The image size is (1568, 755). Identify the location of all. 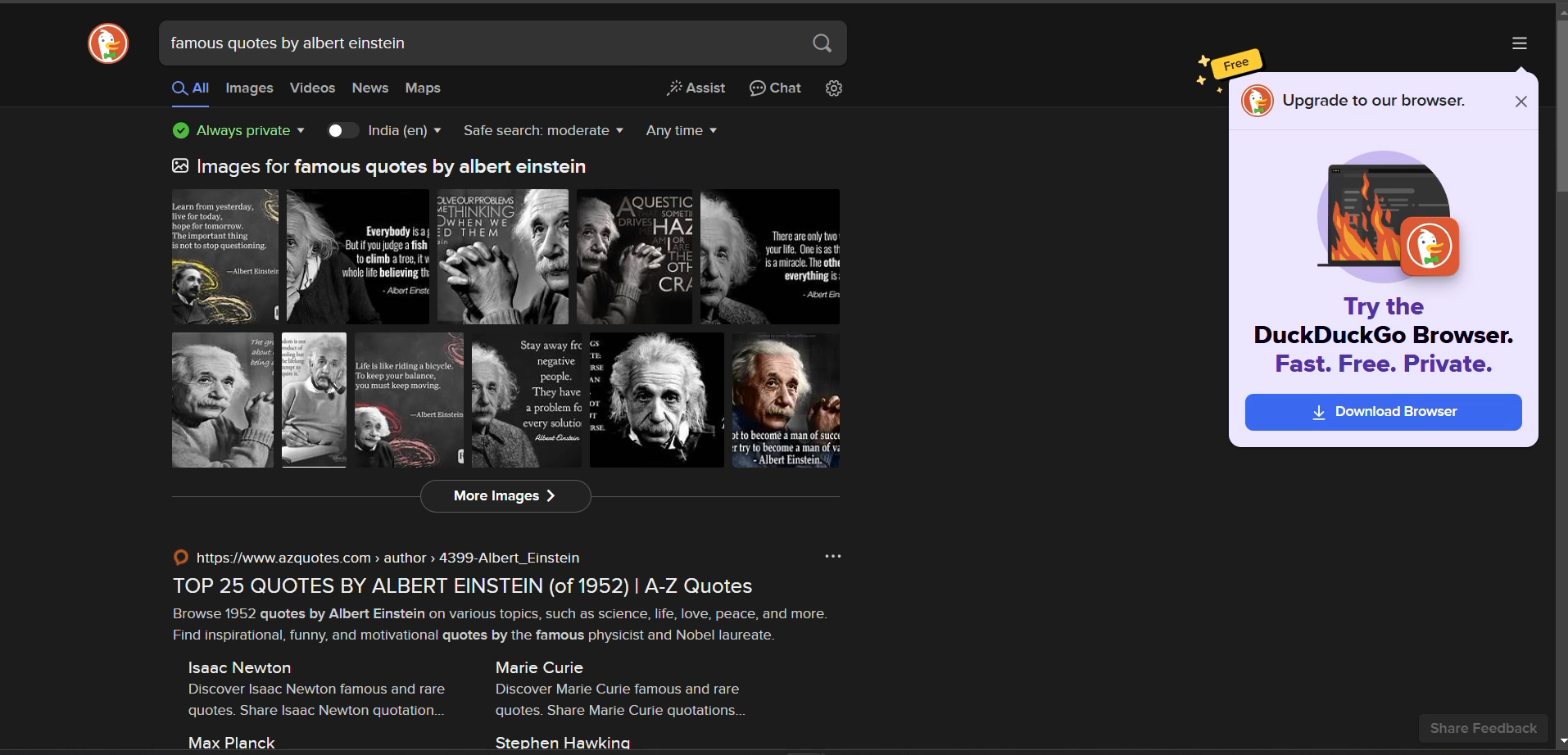
(185, 91).